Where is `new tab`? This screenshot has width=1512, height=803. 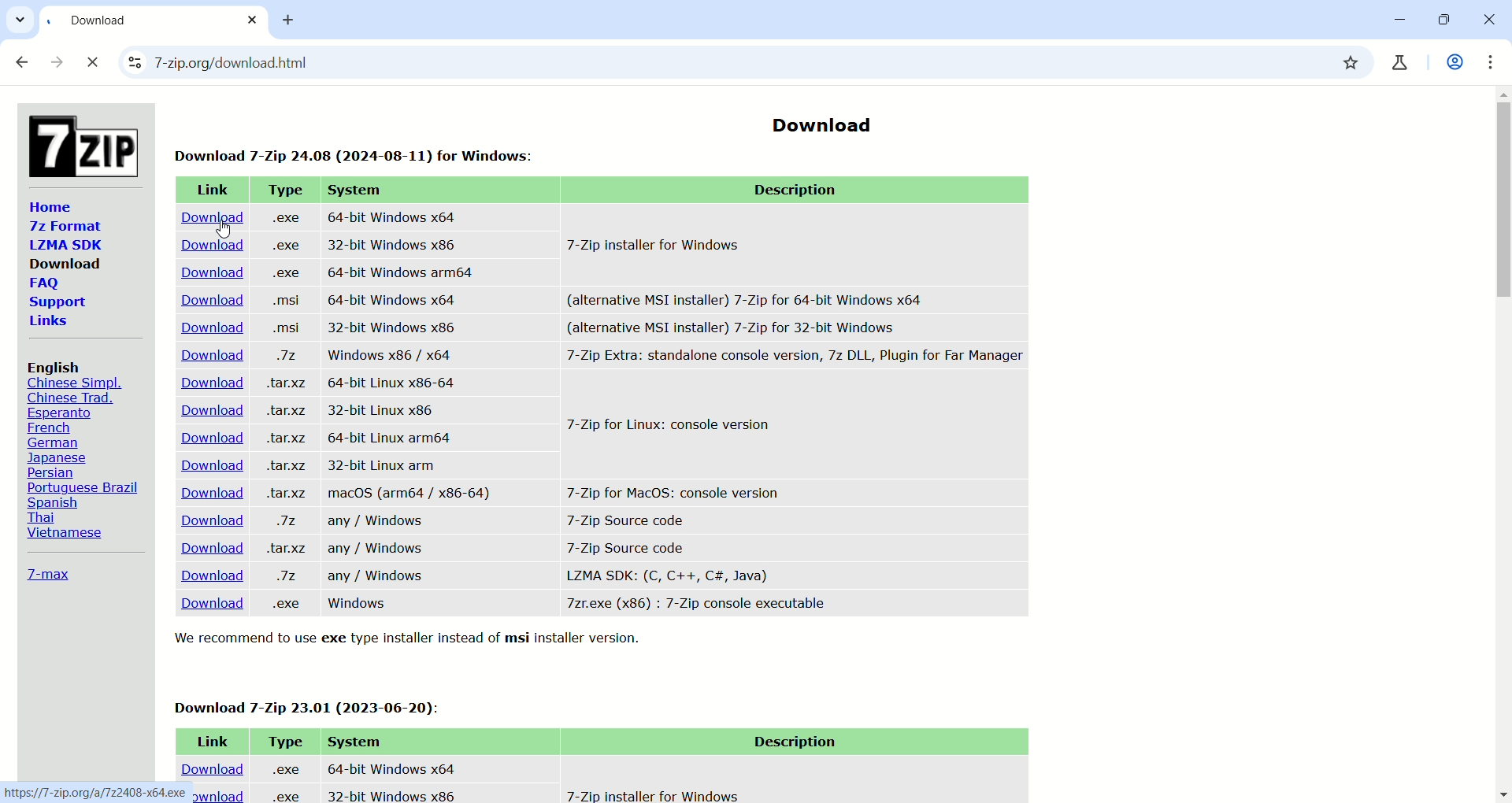 new tab is located at coordinates (295, 22).